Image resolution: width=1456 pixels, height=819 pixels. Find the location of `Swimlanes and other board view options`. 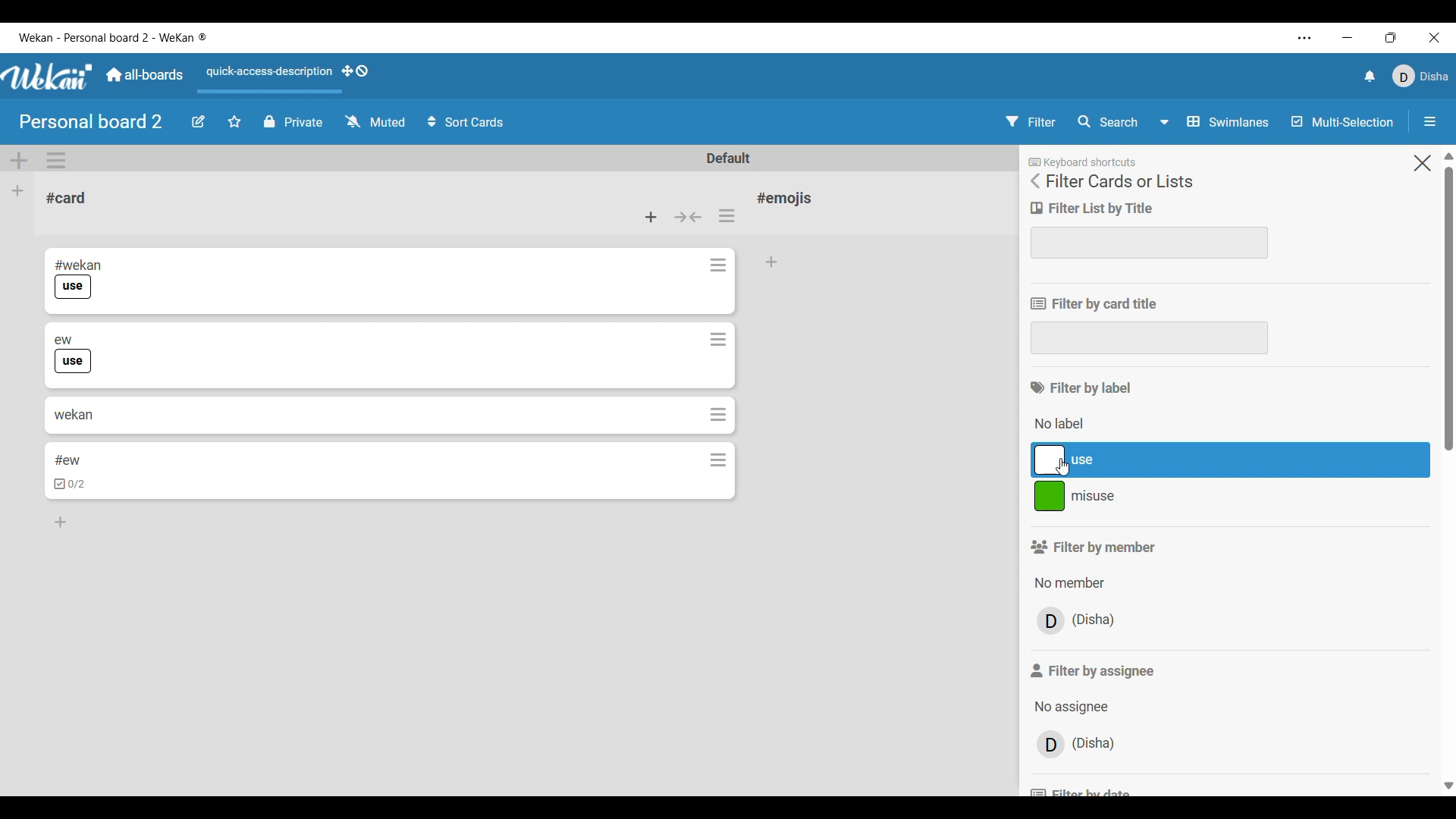

Swimlanes and other board view options is located at coordinates (1213, 121).